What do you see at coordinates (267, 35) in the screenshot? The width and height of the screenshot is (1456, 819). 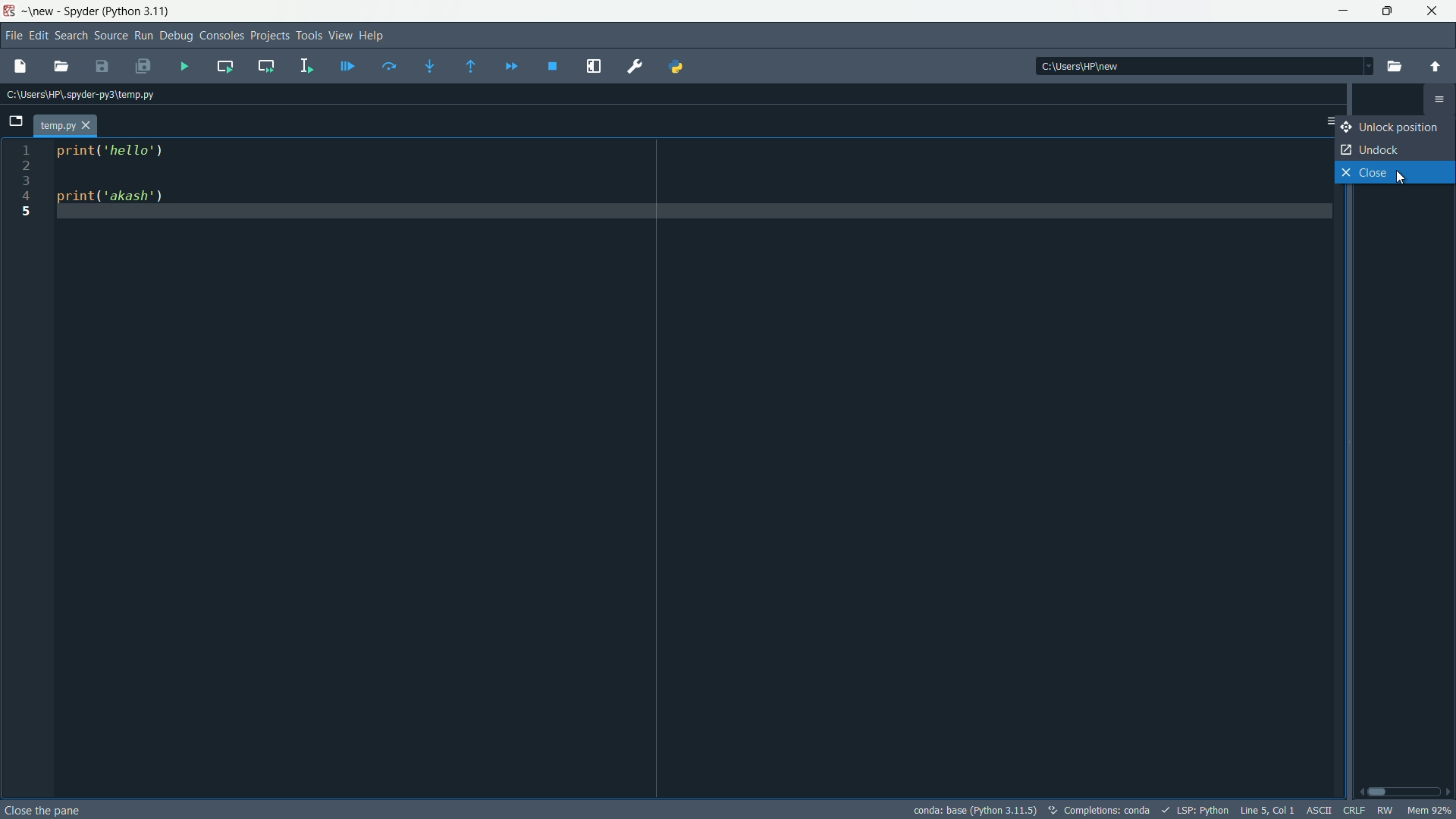 I see `Project Menu` at bounding box center [267, 35].